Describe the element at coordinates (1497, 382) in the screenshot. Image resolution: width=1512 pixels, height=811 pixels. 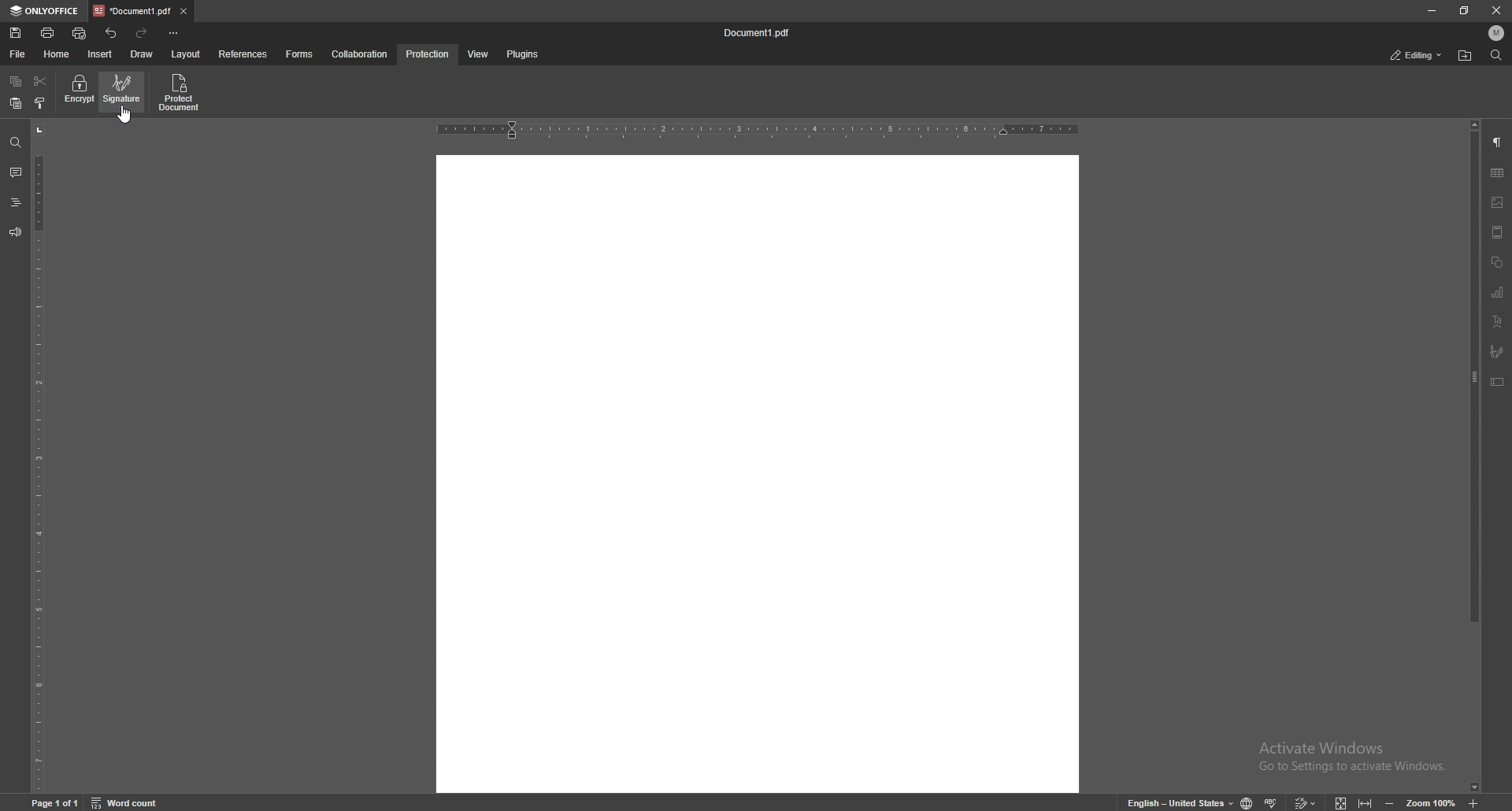
I see `text box` at that location.